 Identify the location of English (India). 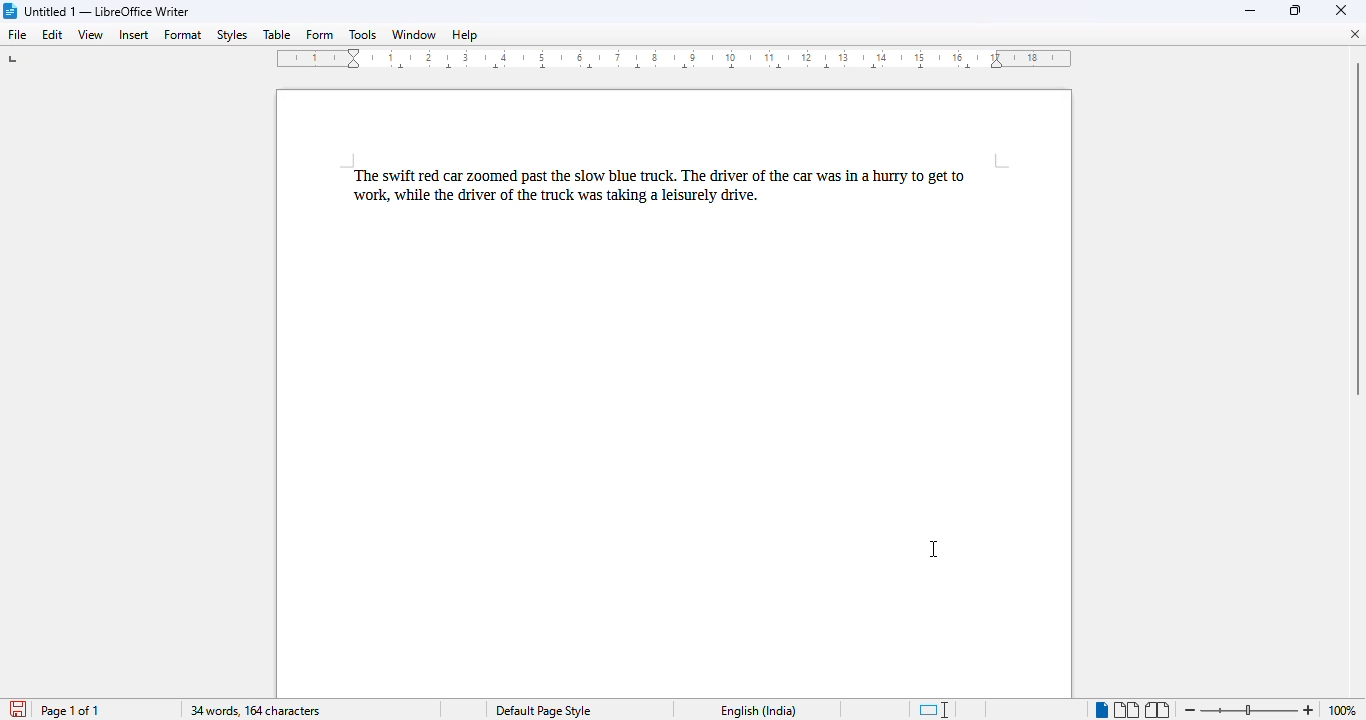
(757, 711).